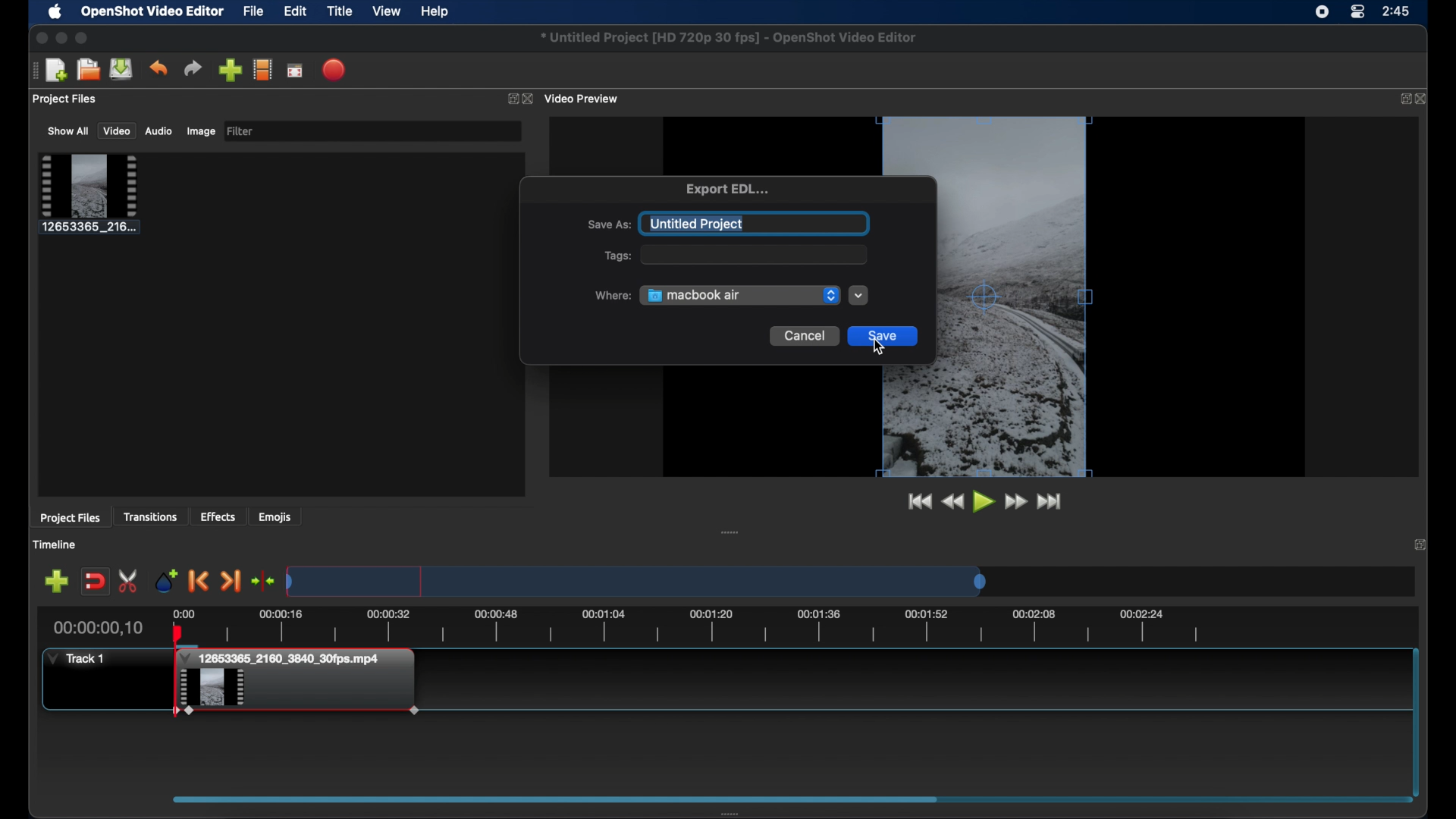  Describe the element at coordinates (295, 71) in the screenshot. I see `full screen` at that location.